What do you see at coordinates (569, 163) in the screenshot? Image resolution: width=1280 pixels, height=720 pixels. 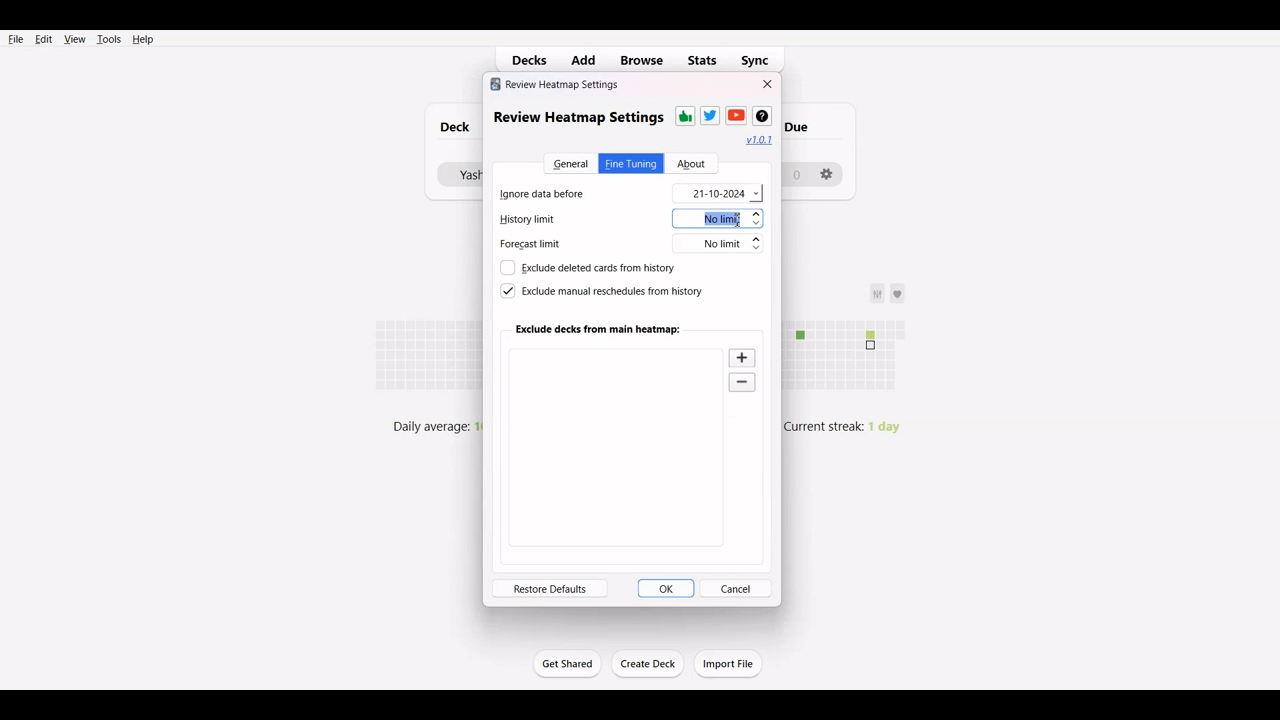 I see `General` at bounding box center [569, 163].